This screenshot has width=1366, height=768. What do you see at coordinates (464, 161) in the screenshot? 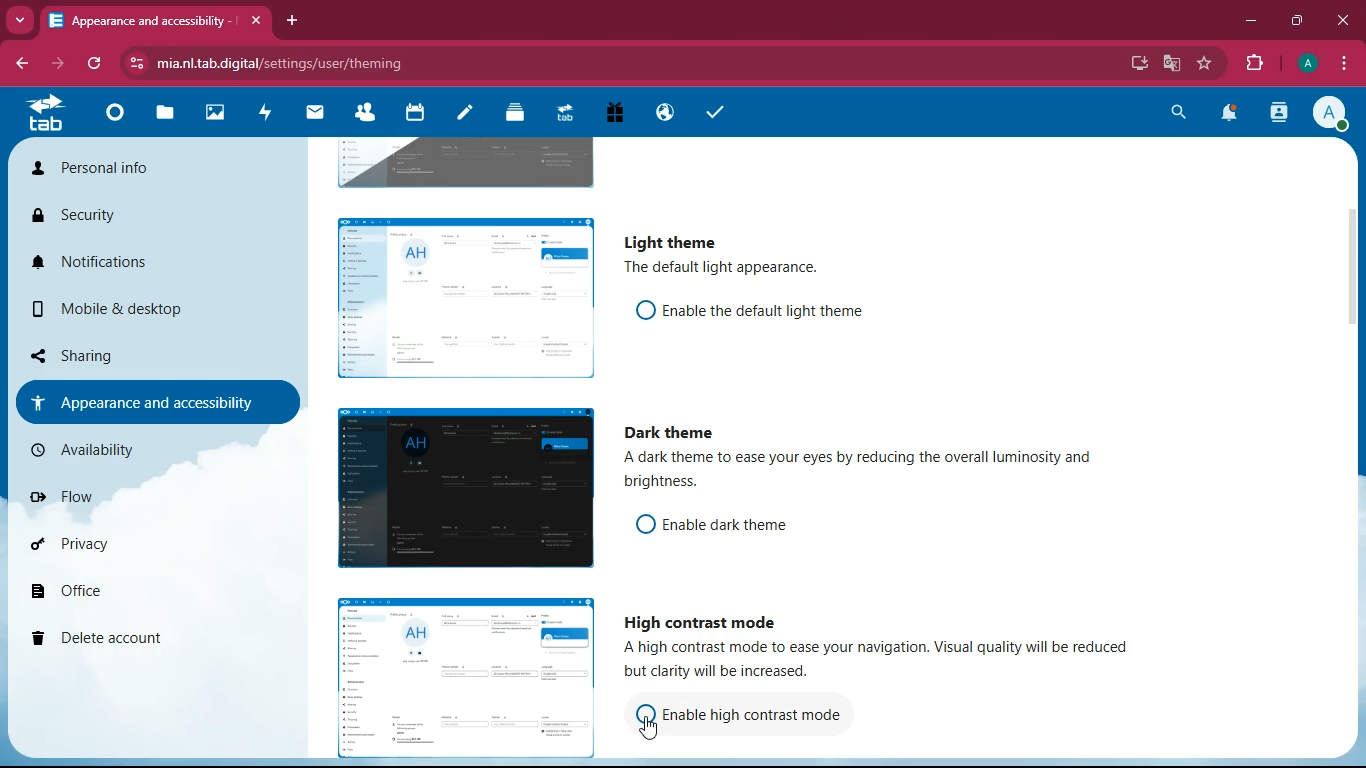
I see `image` at bounding box center [464, 161].